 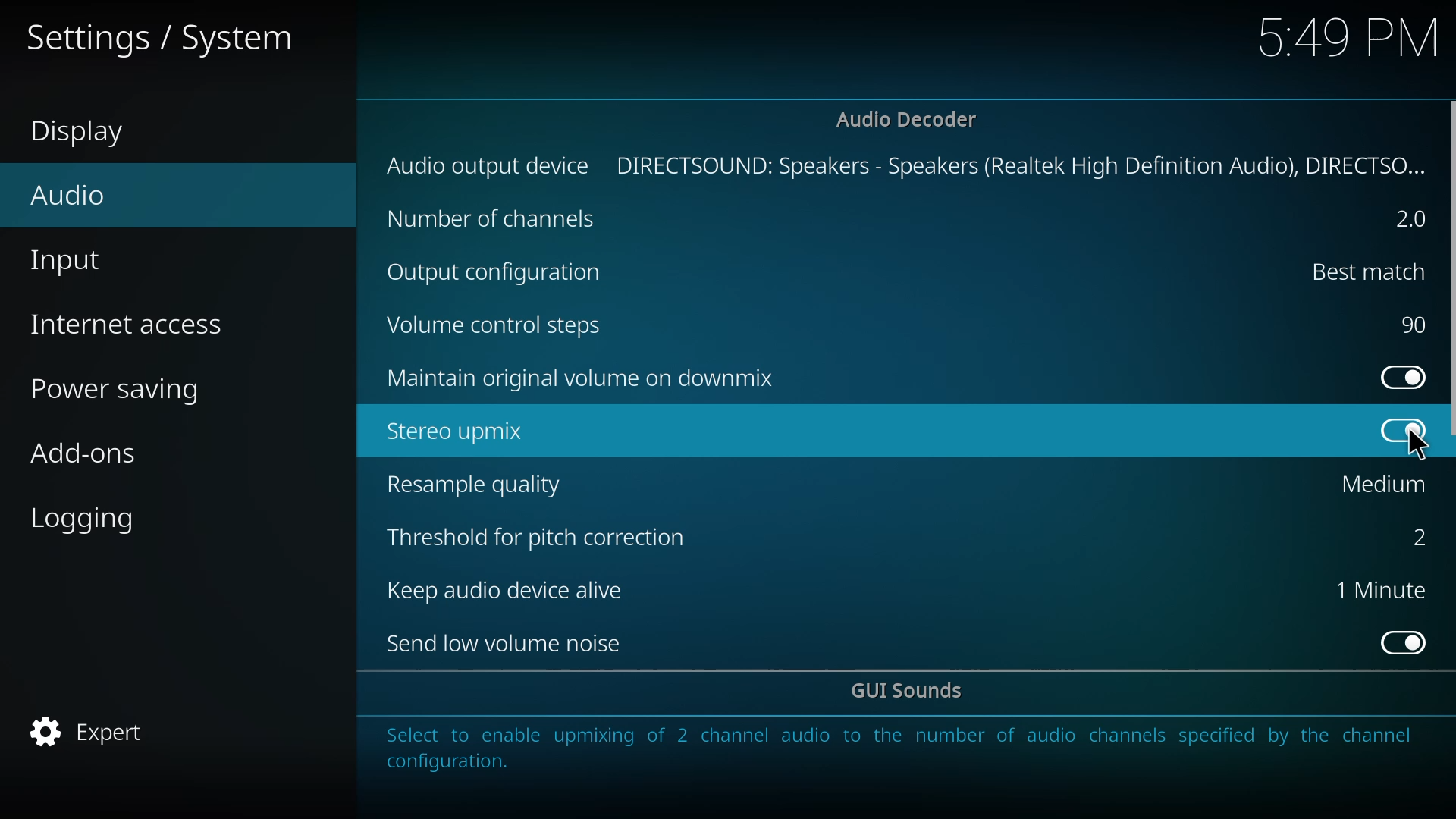 I want to click on 1, so click(x=1382, y=588).